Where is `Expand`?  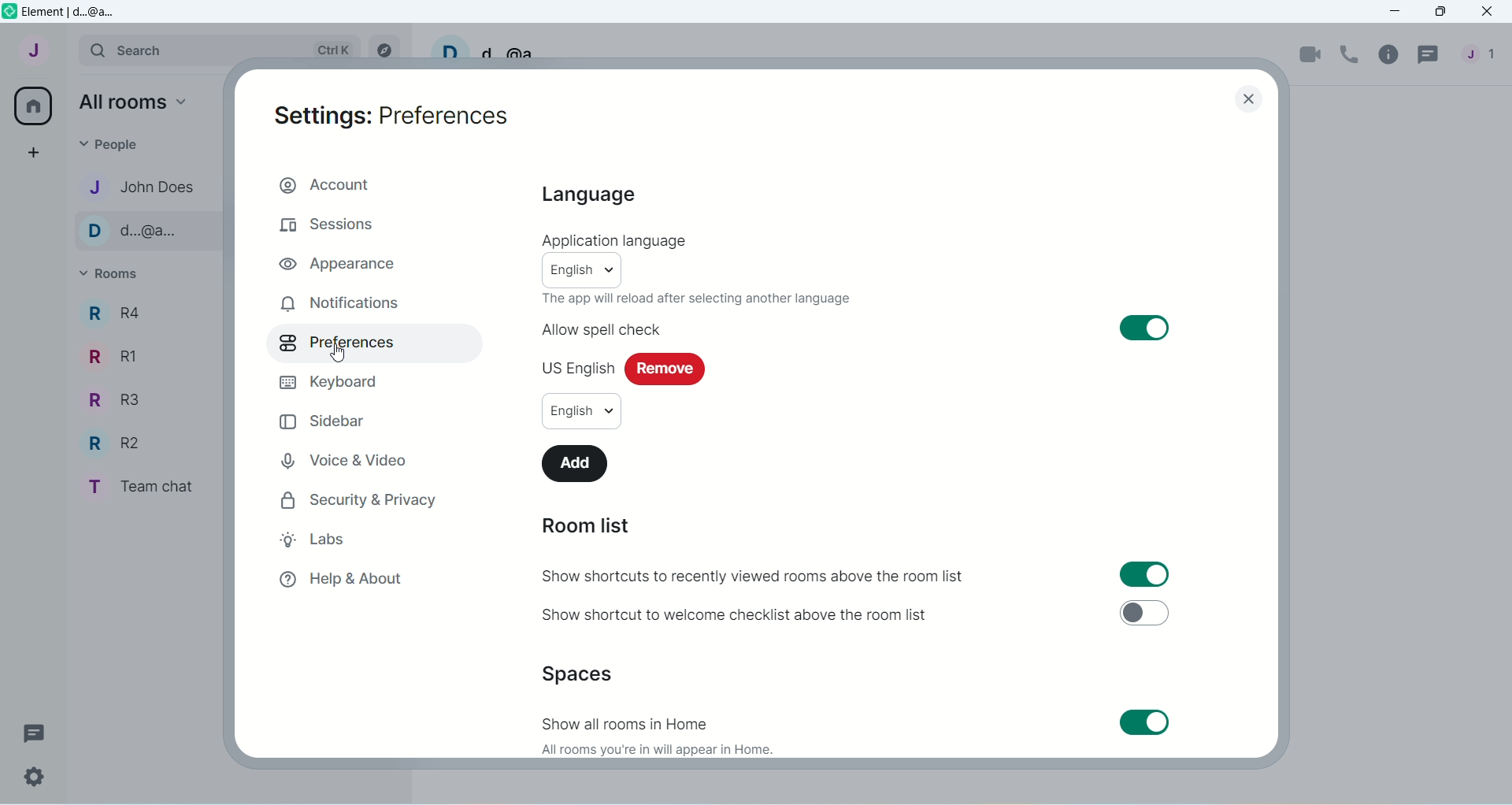
Expand is located at coordinates (68, 48).